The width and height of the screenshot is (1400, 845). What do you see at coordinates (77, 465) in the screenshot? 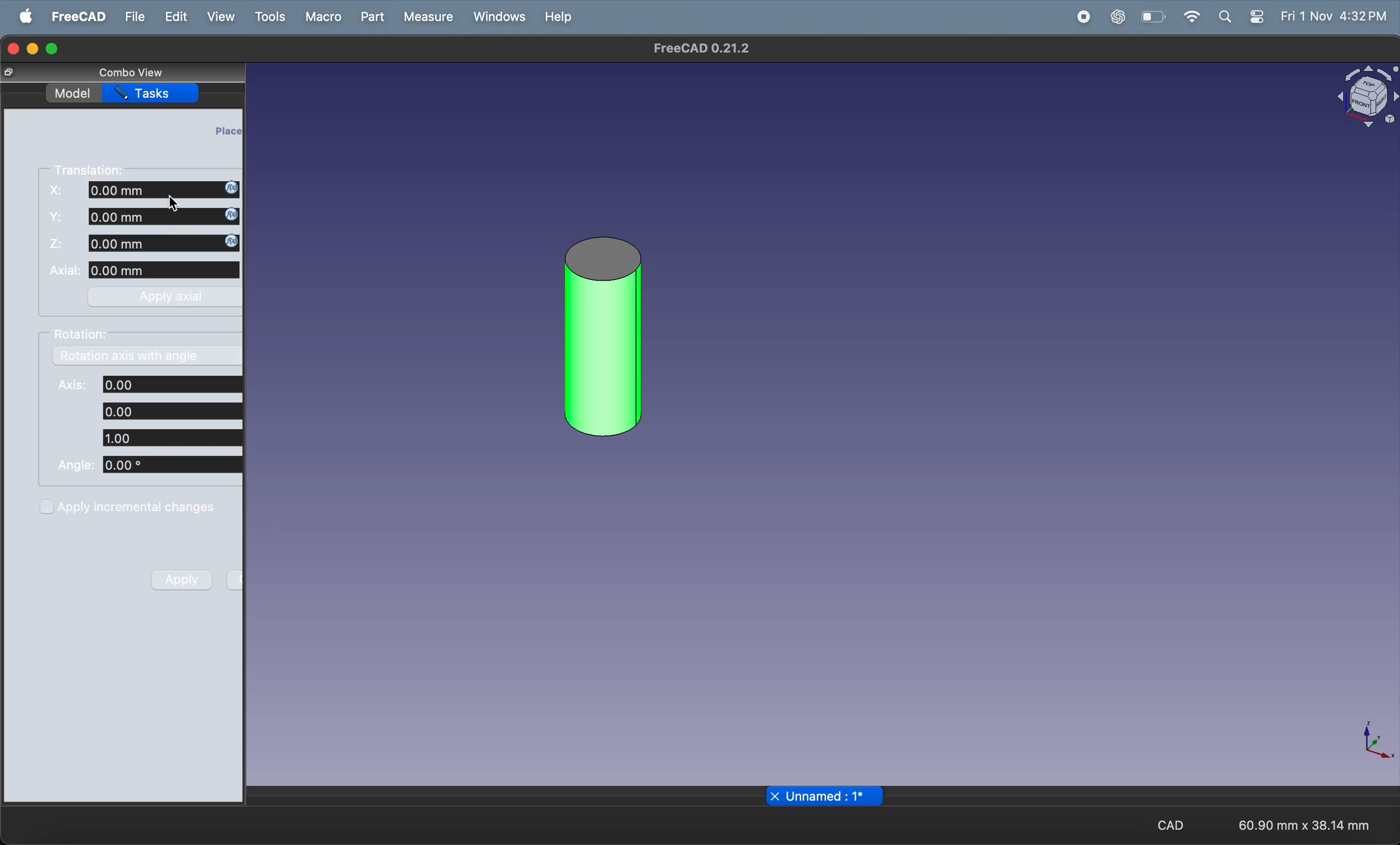
I see `Angle:` at bounding box center [77, 465].